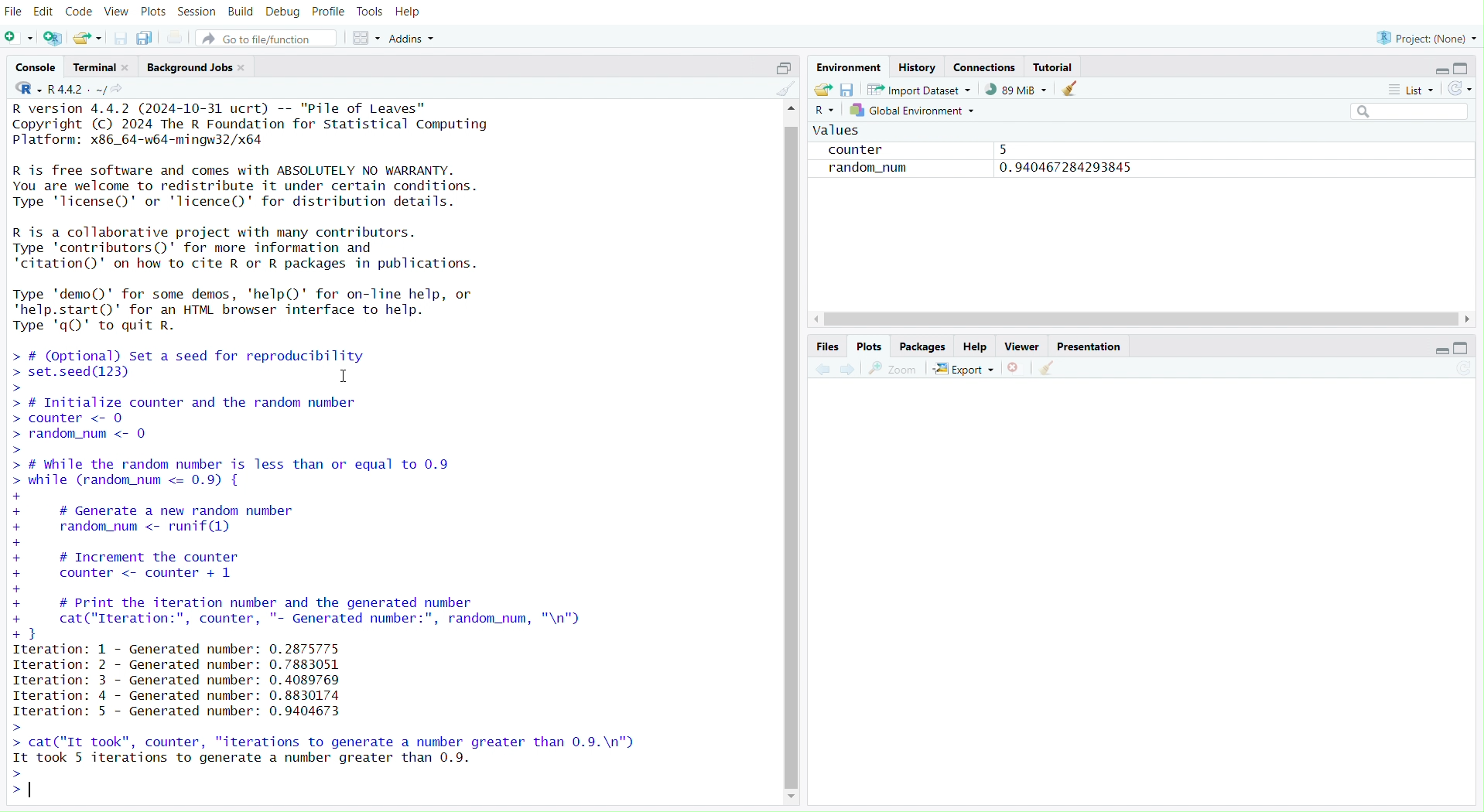 The width and height of the screenshot is (1484, 812). Describe the element at coordinates (1092, 346) in the screenshot. I see `Presentation` at that location.